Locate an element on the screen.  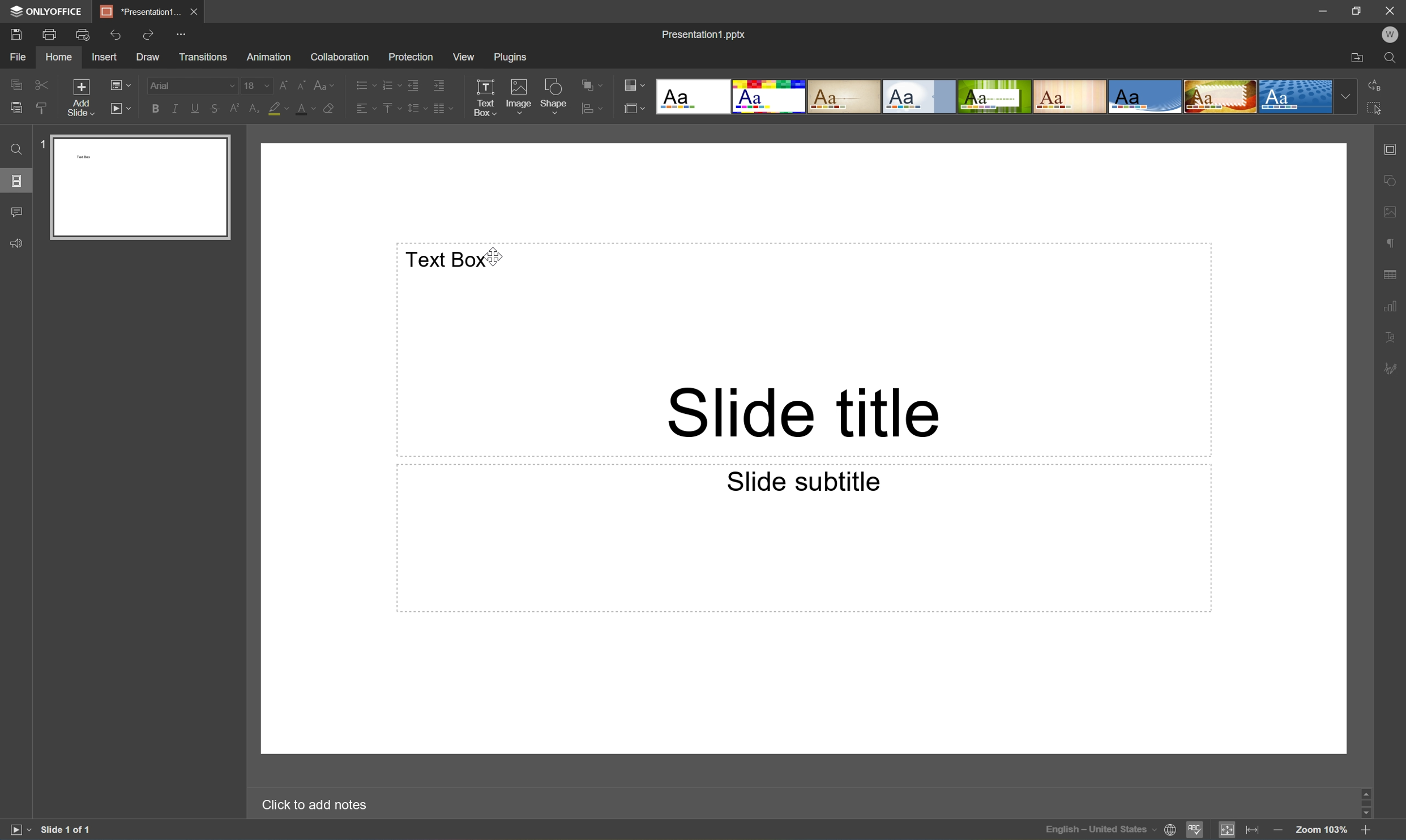
Zoom 103% is located at coordinates (1321, 830).